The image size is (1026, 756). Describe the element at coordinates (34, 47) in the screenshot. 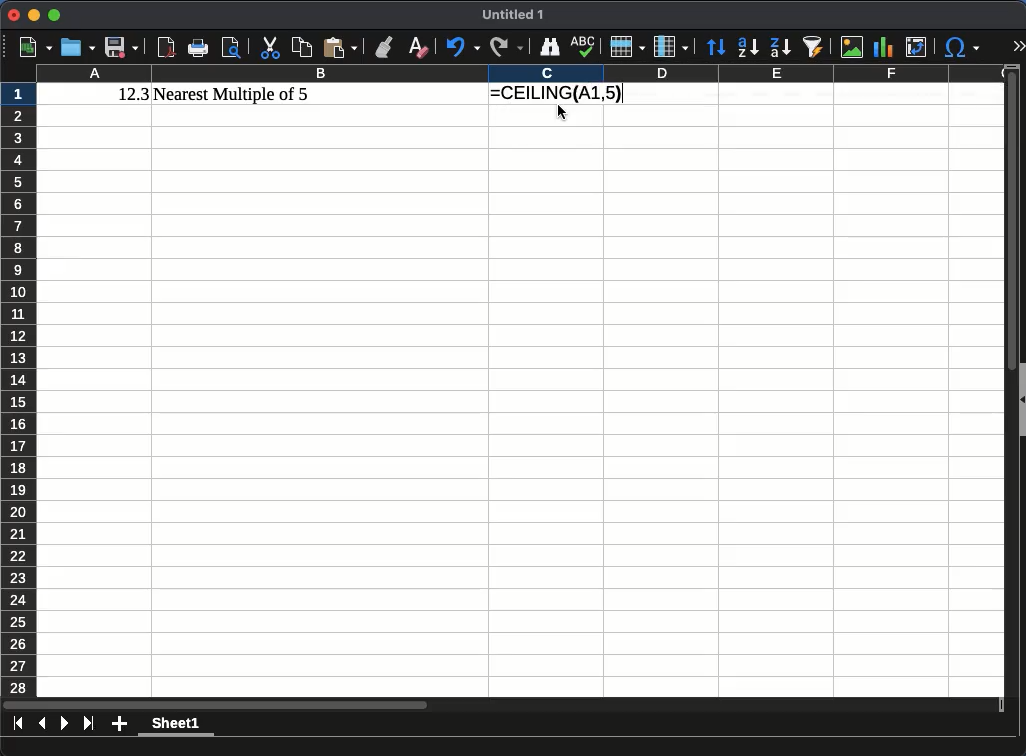

I see `new` at that location.